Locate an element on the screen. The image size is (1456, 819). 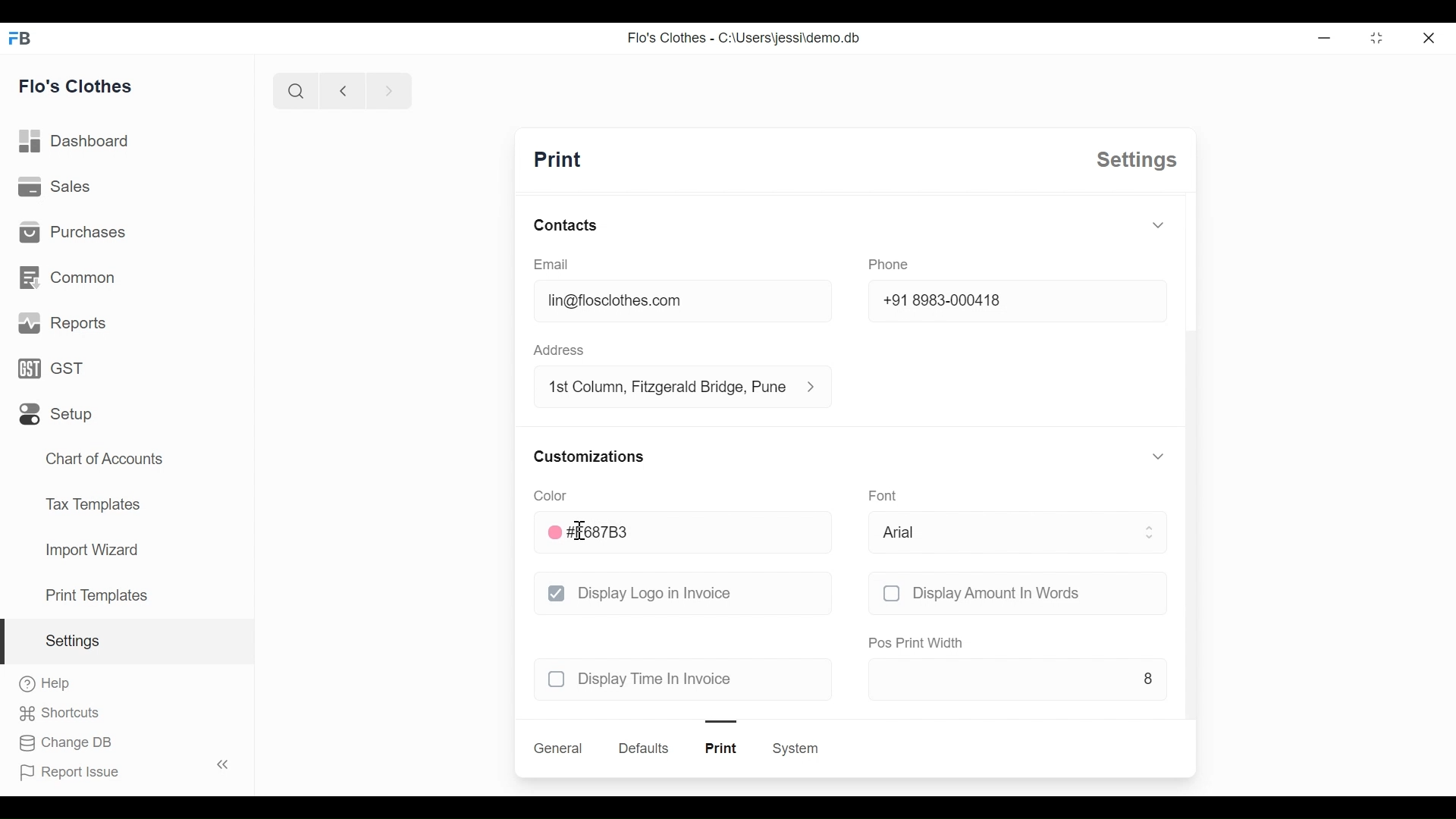
8 is located at coordinates (1018, 678).